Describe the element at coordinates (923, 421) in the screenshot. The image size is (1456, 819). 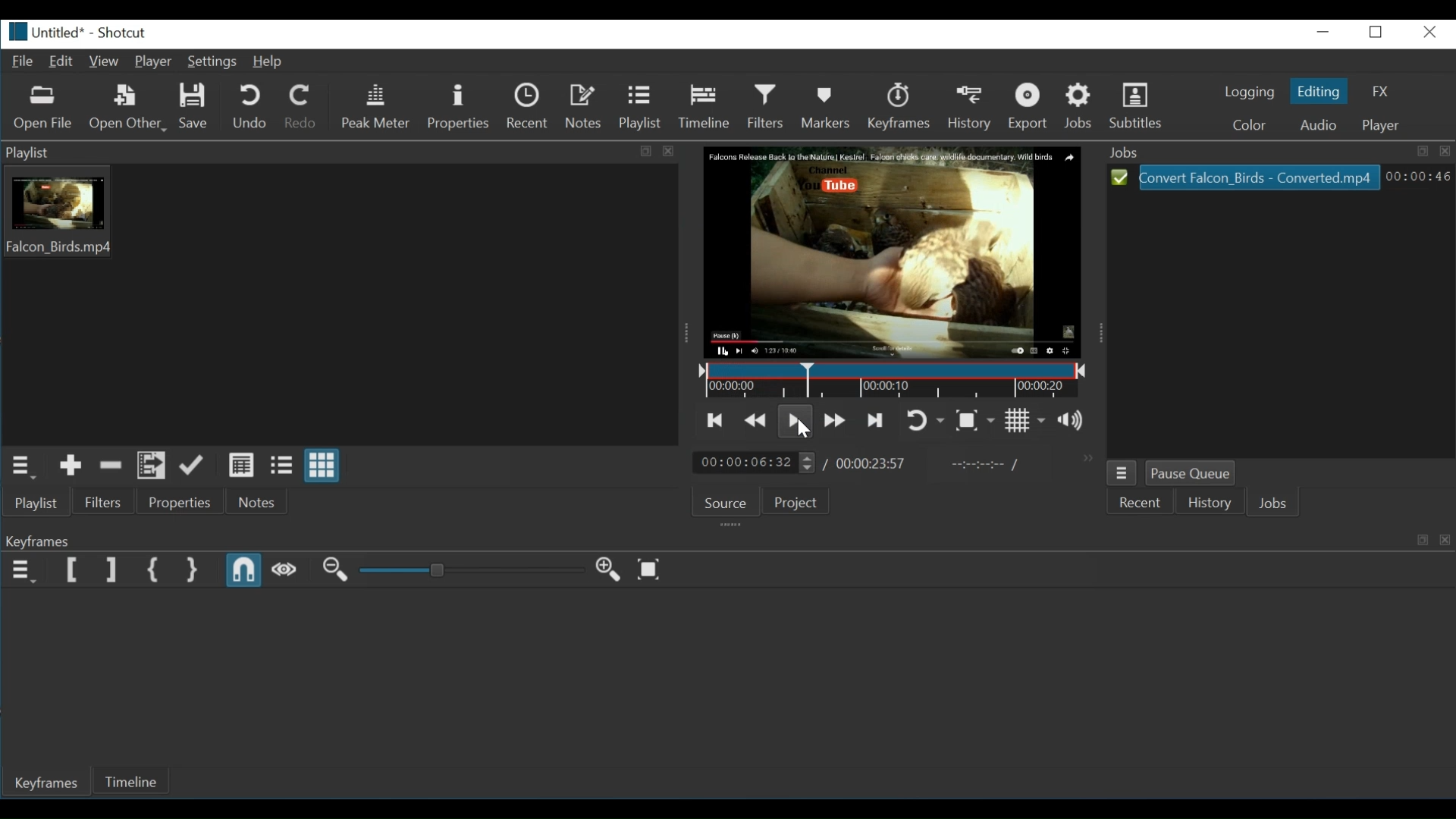
I see `Toggle player loop` at that location.